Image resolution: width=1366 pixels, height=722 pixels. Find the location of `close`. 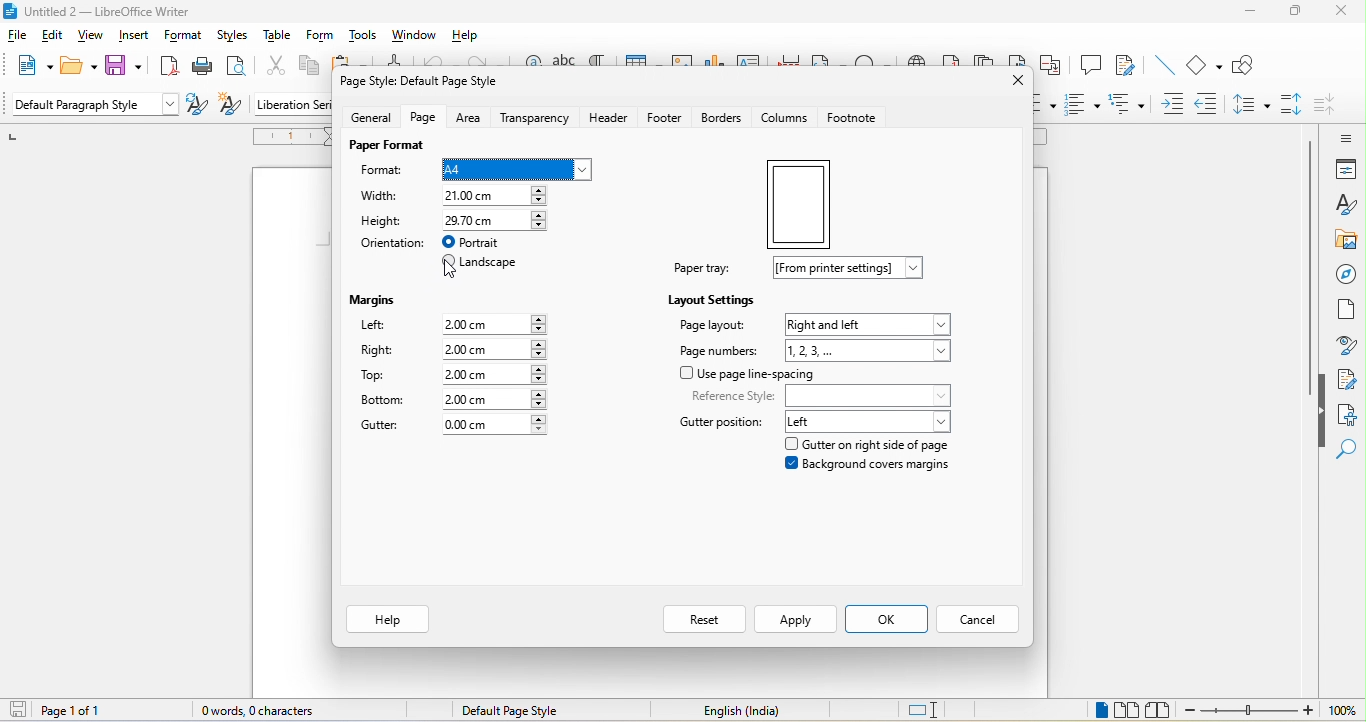

close is located at coordinates (1340, 12).